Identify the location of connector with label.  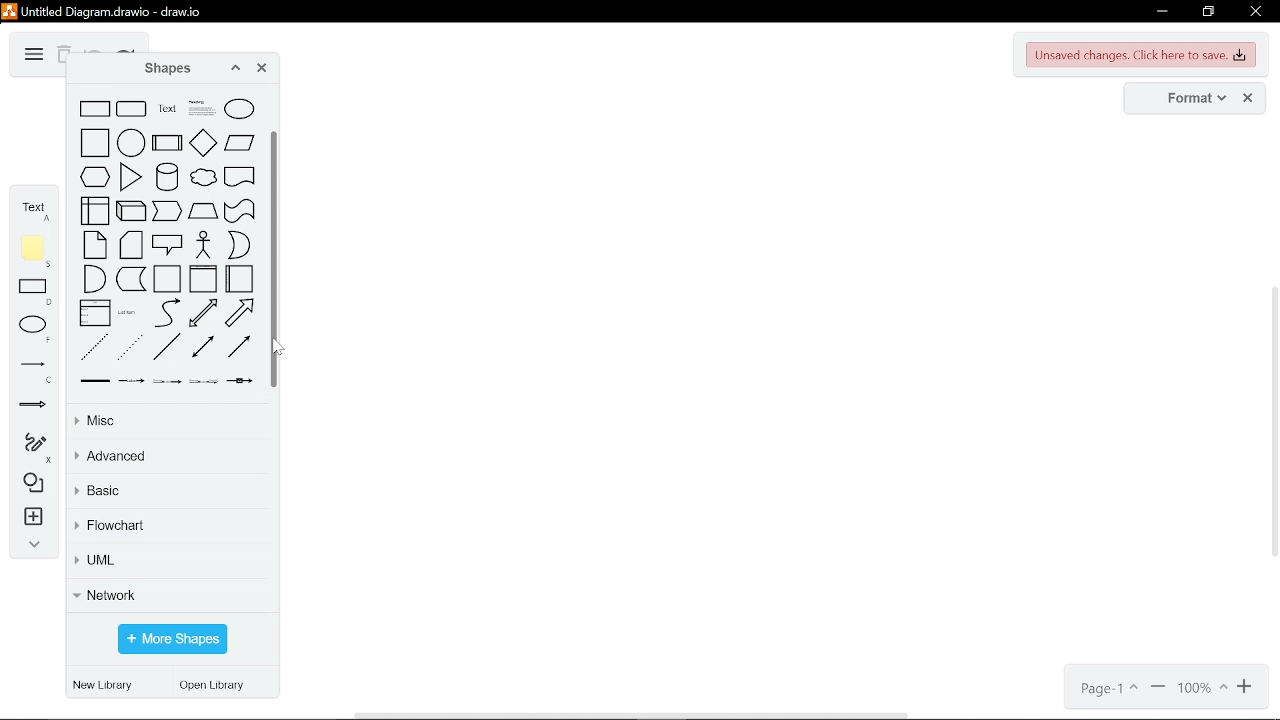
(131, 382).